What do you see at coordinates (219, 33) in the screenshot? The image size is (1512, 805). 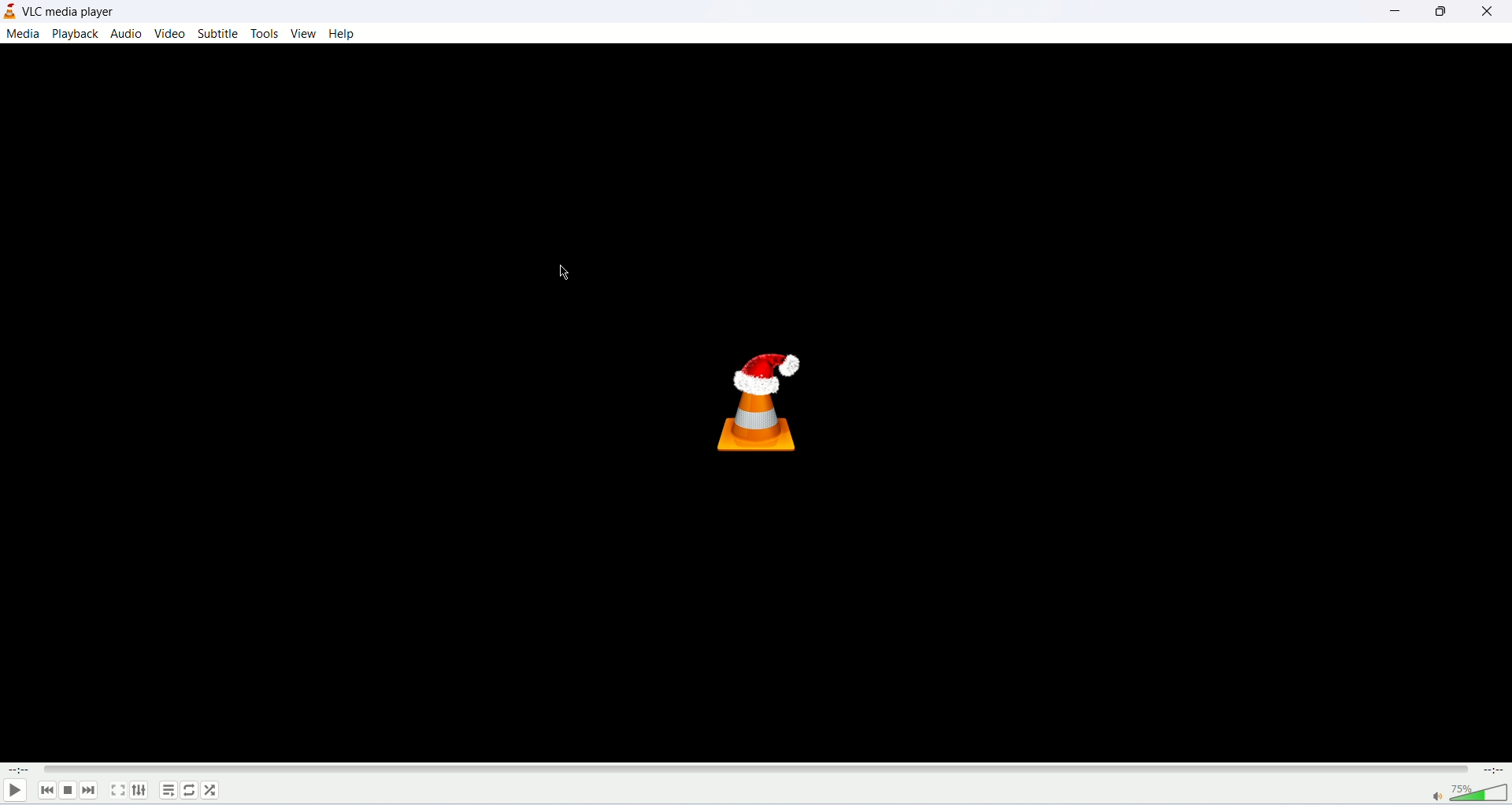 I see `subtitle` at bounding box center [219, 33].